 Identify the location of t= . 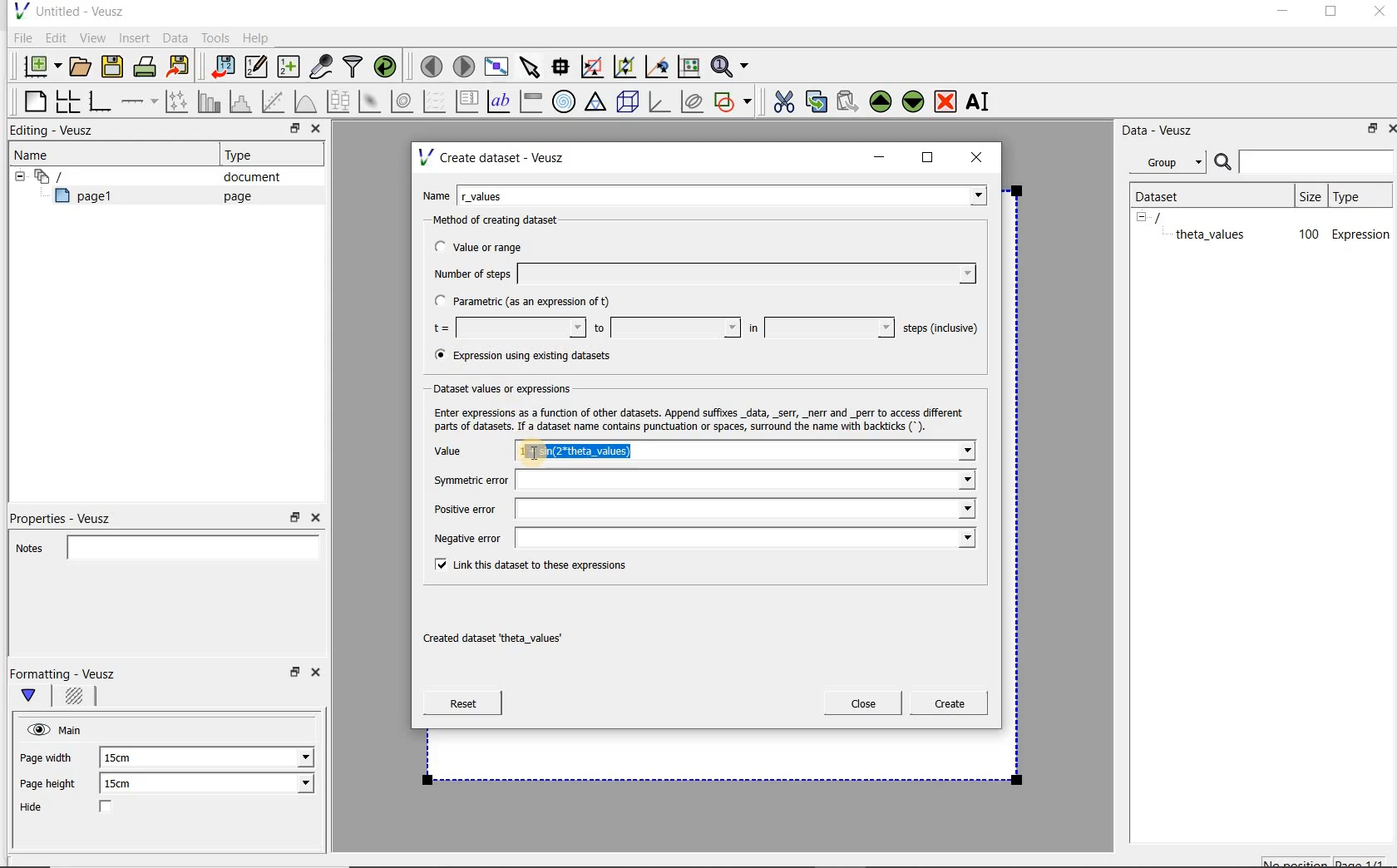
(506, 328).